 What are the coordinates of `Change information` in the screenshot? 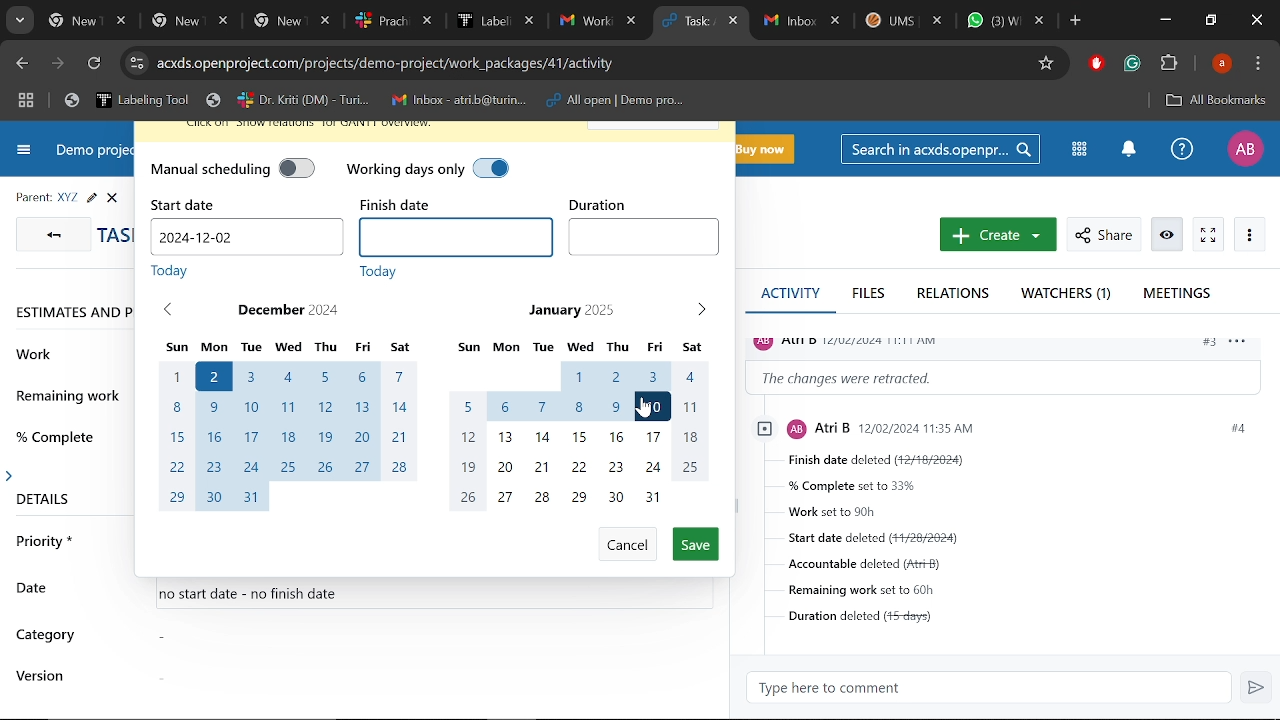 It's located at (1006, 377).